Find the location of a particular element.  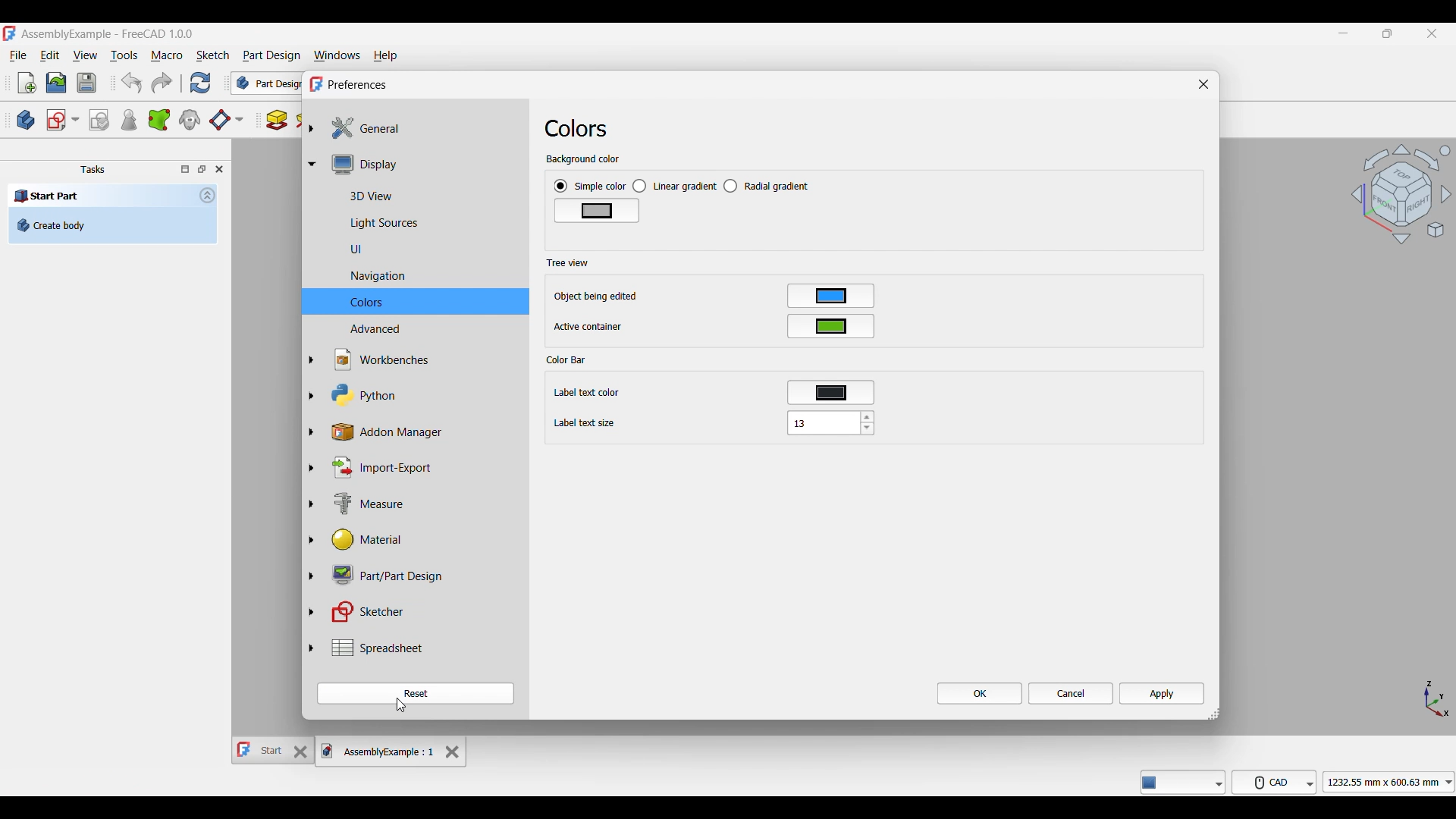

UI is located at coordinates (338, 249).